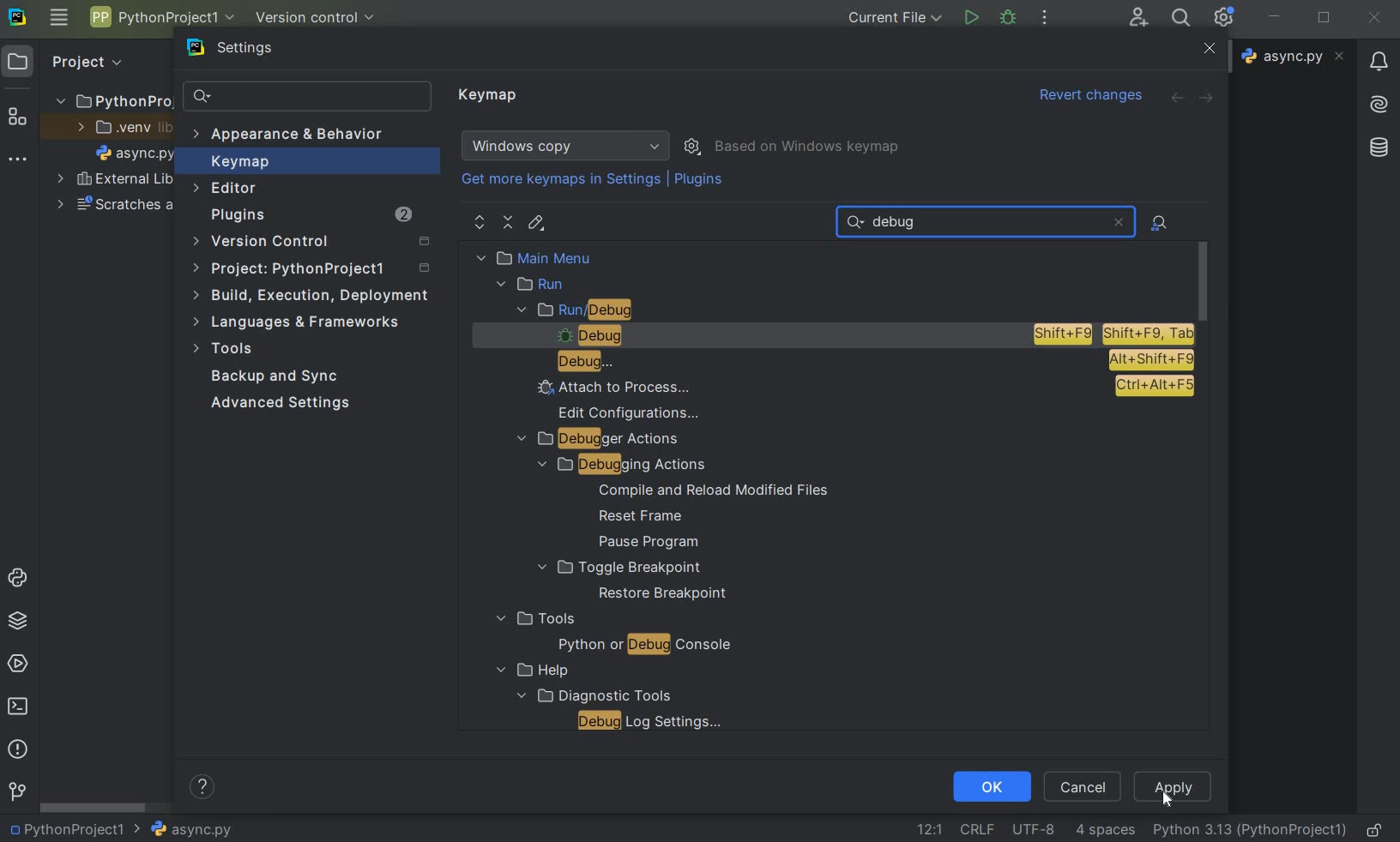 Image resolution: width=1400 pixels, height=842 pixels. Describe the element at coordinates (1105, 830) in the screenshot. I see `indent` at that location.